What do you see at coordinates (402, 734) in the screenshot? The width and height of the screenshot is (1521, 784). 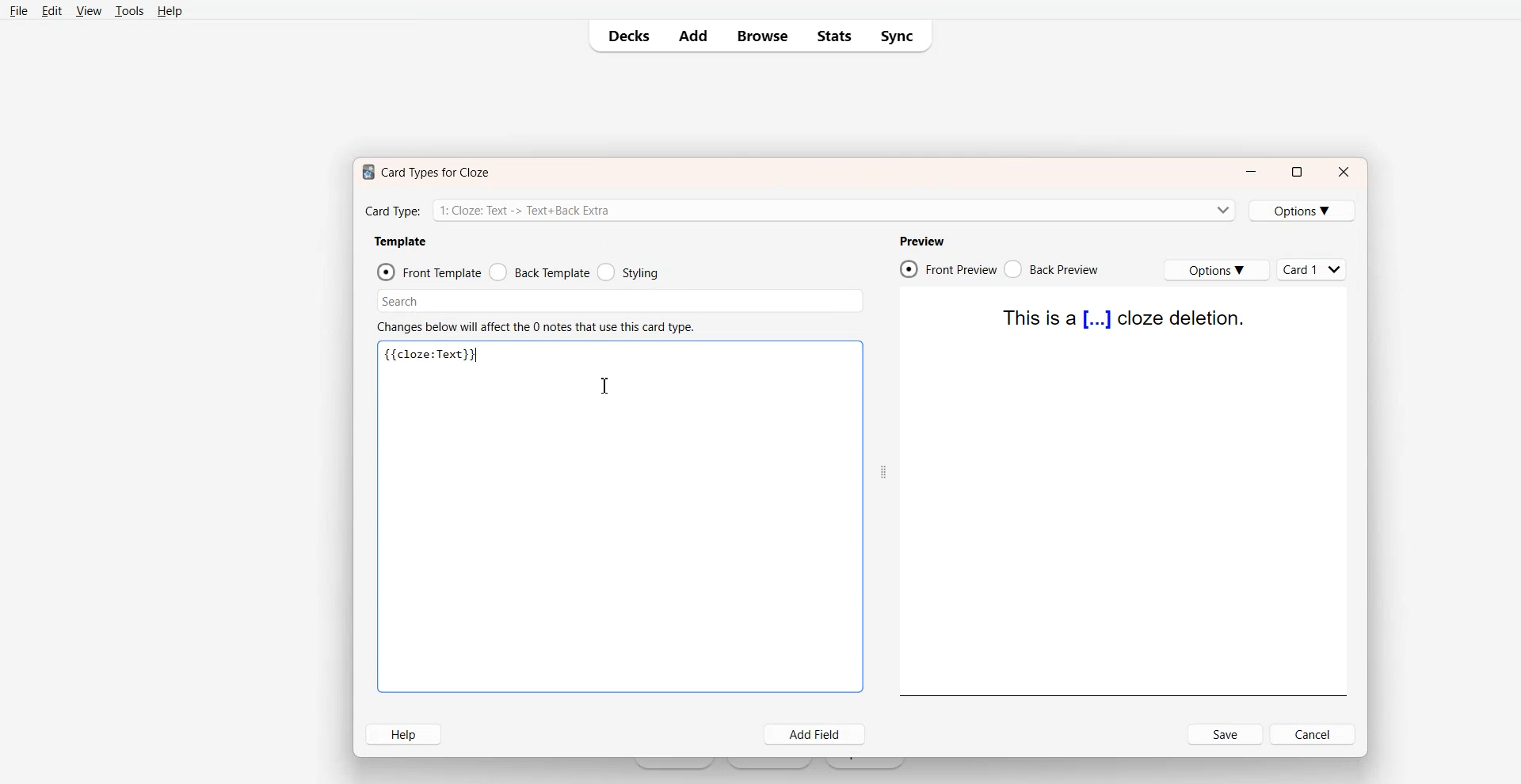 I see `Help` at bounding box center [402, 734].